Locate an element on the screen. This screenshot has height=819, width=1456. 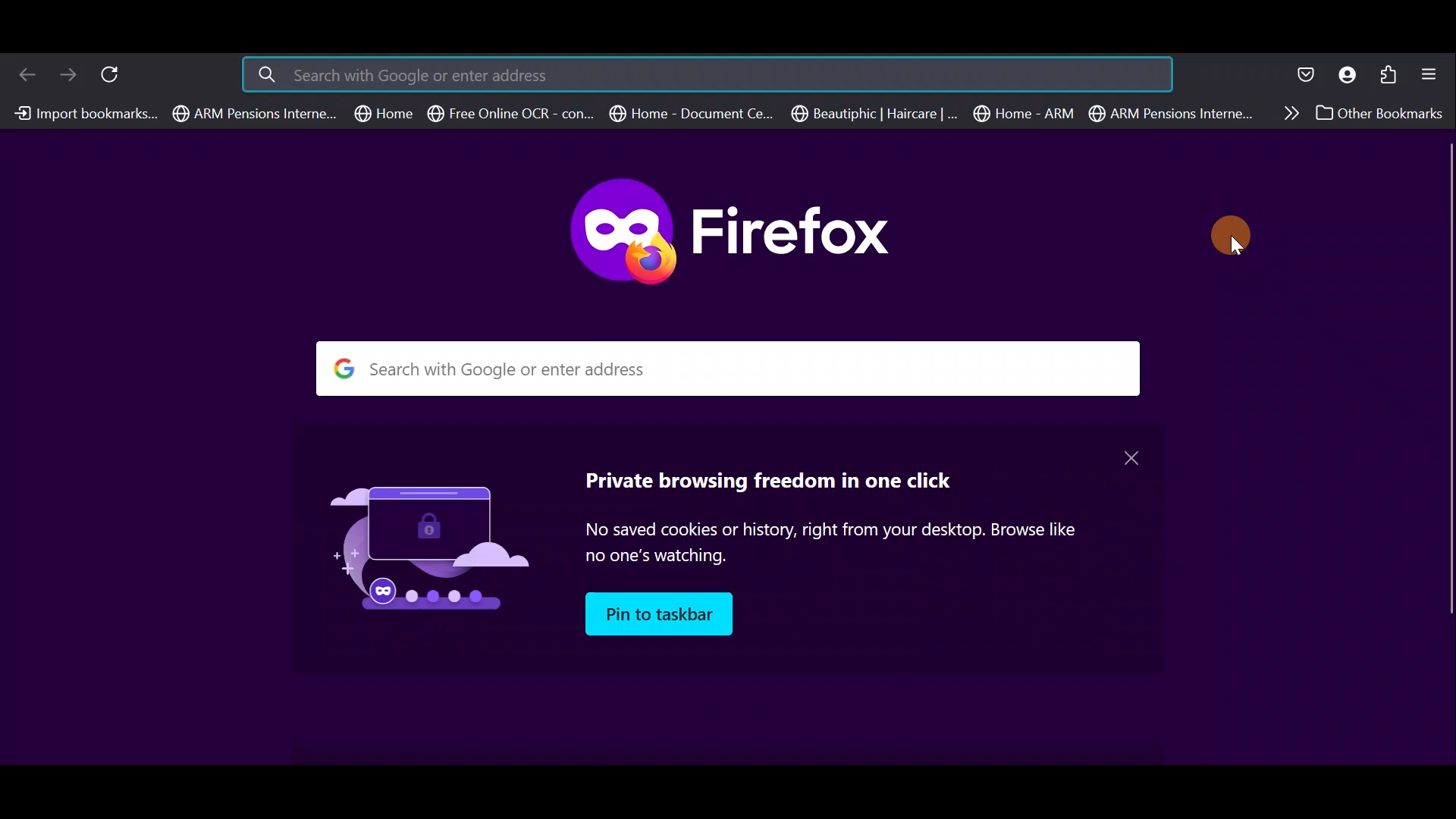
» Home - Document Ce... is located at coordinates (690, 114).